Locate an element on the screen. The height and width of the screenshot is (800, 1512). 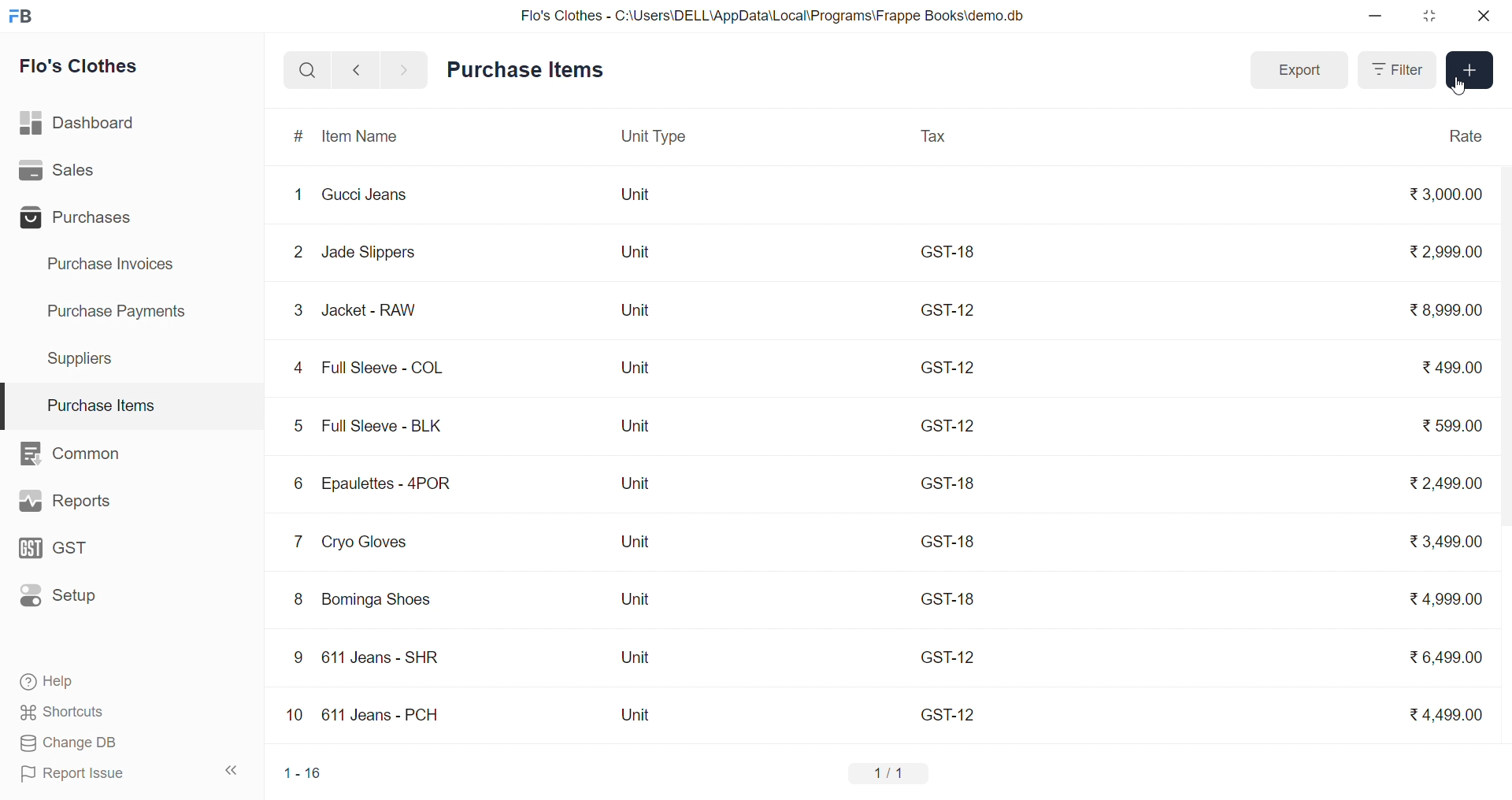
Common is located at coordinates (79, 452).